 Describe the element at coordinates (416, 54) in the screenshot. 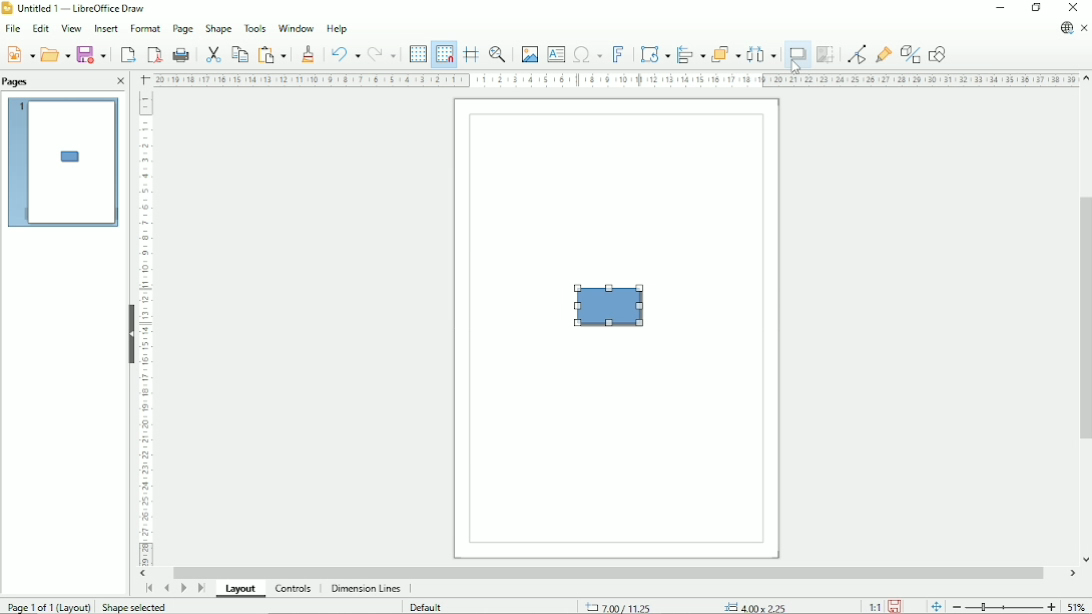

I see `Display grid` at that location.